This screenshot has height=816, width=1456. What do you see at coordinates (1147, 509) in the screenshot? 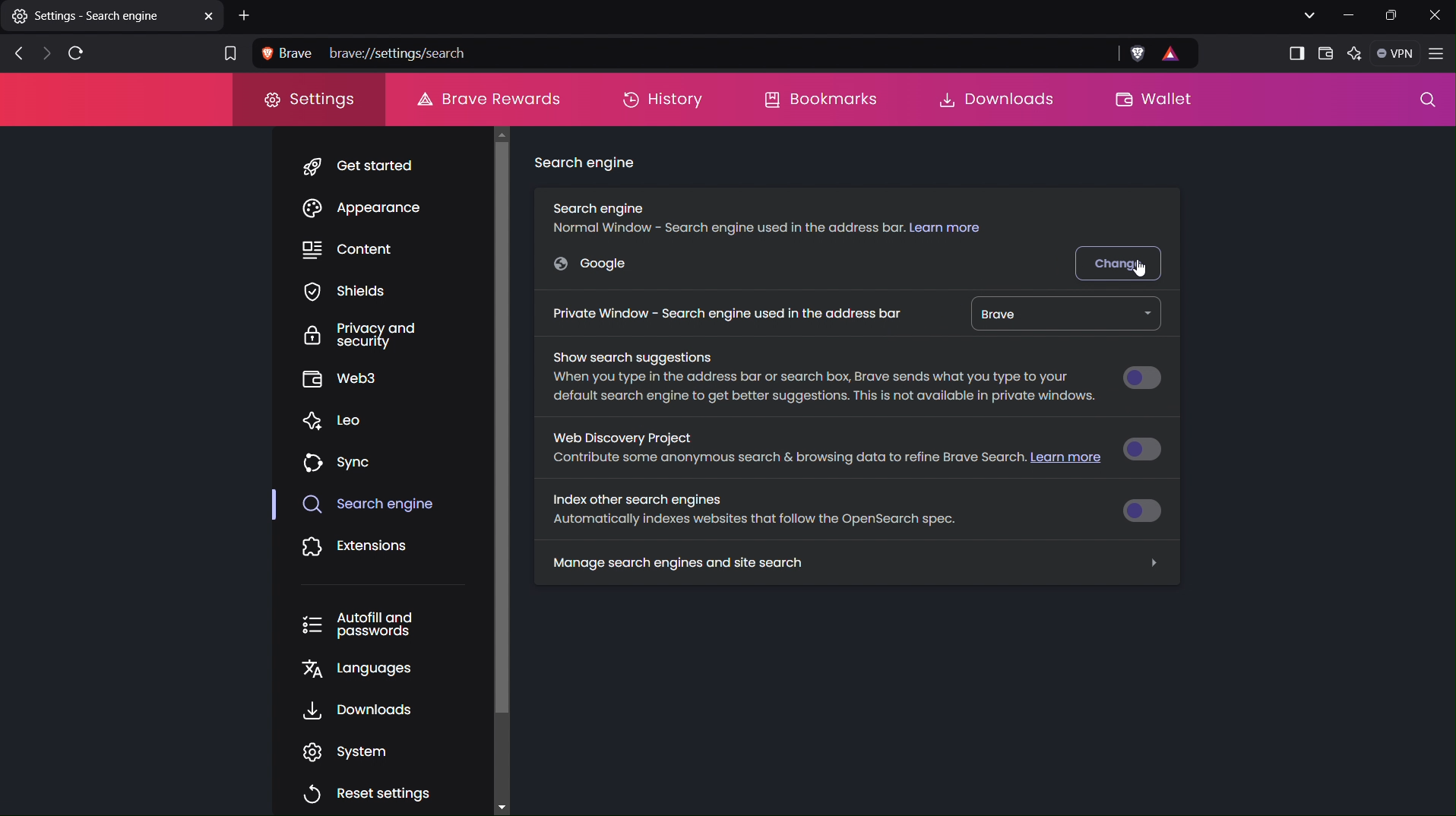
I see `Button` at bounding box center [1147, 509].